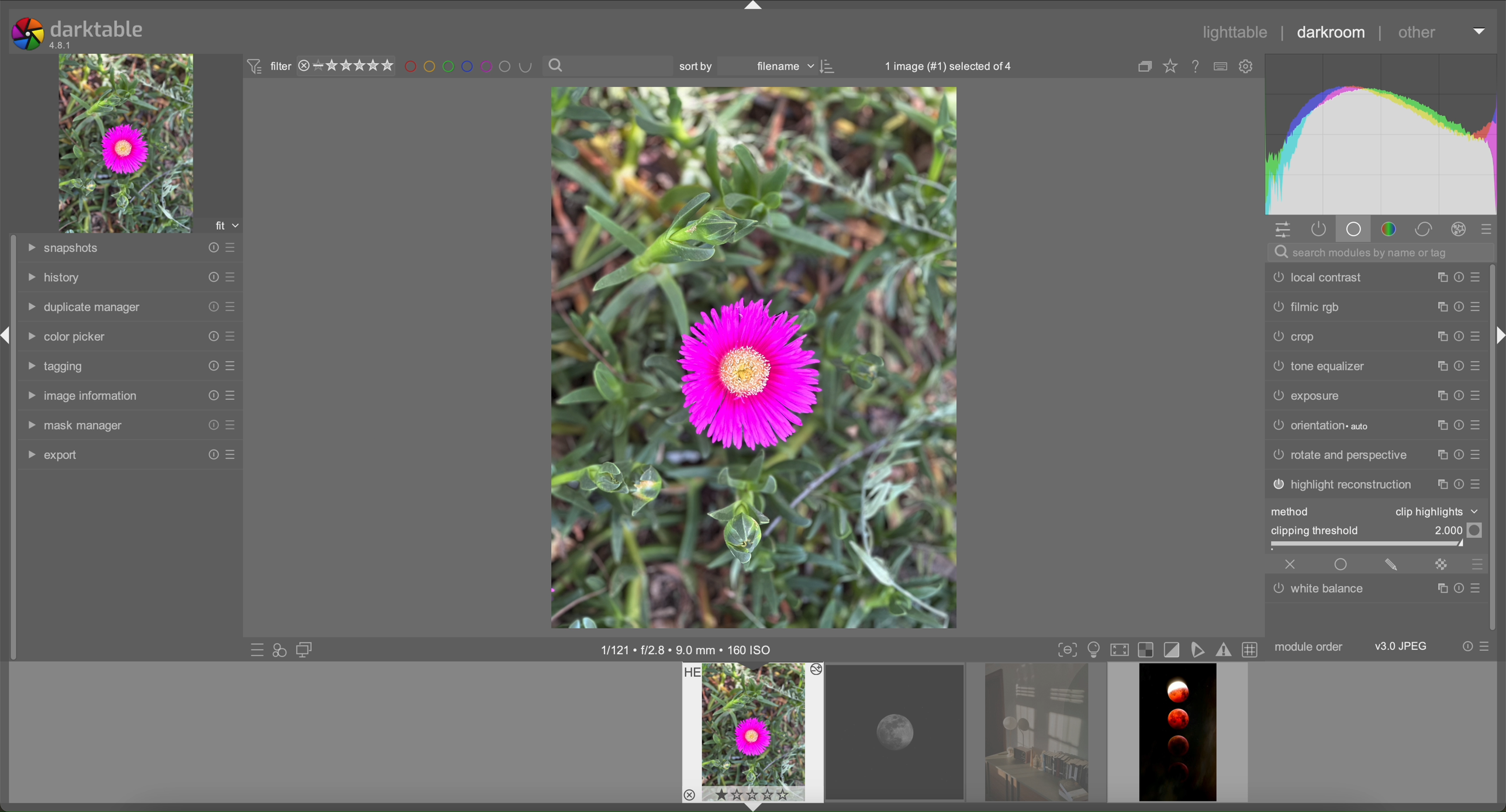 This screenshot has width=1506, height=812. What do you see at coordinates (1318, 229) in the screenshot?
I see `active modules` at bounding box center [1318, 229].